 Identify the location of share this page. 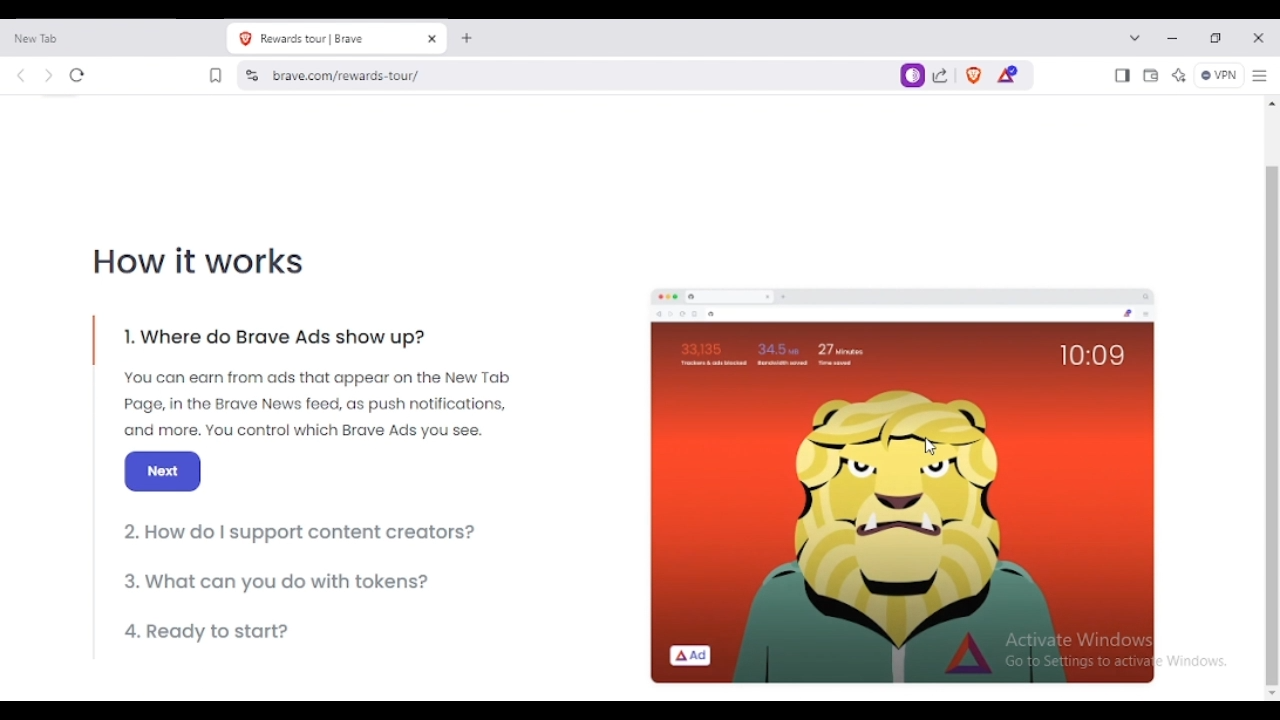
(942, 75).